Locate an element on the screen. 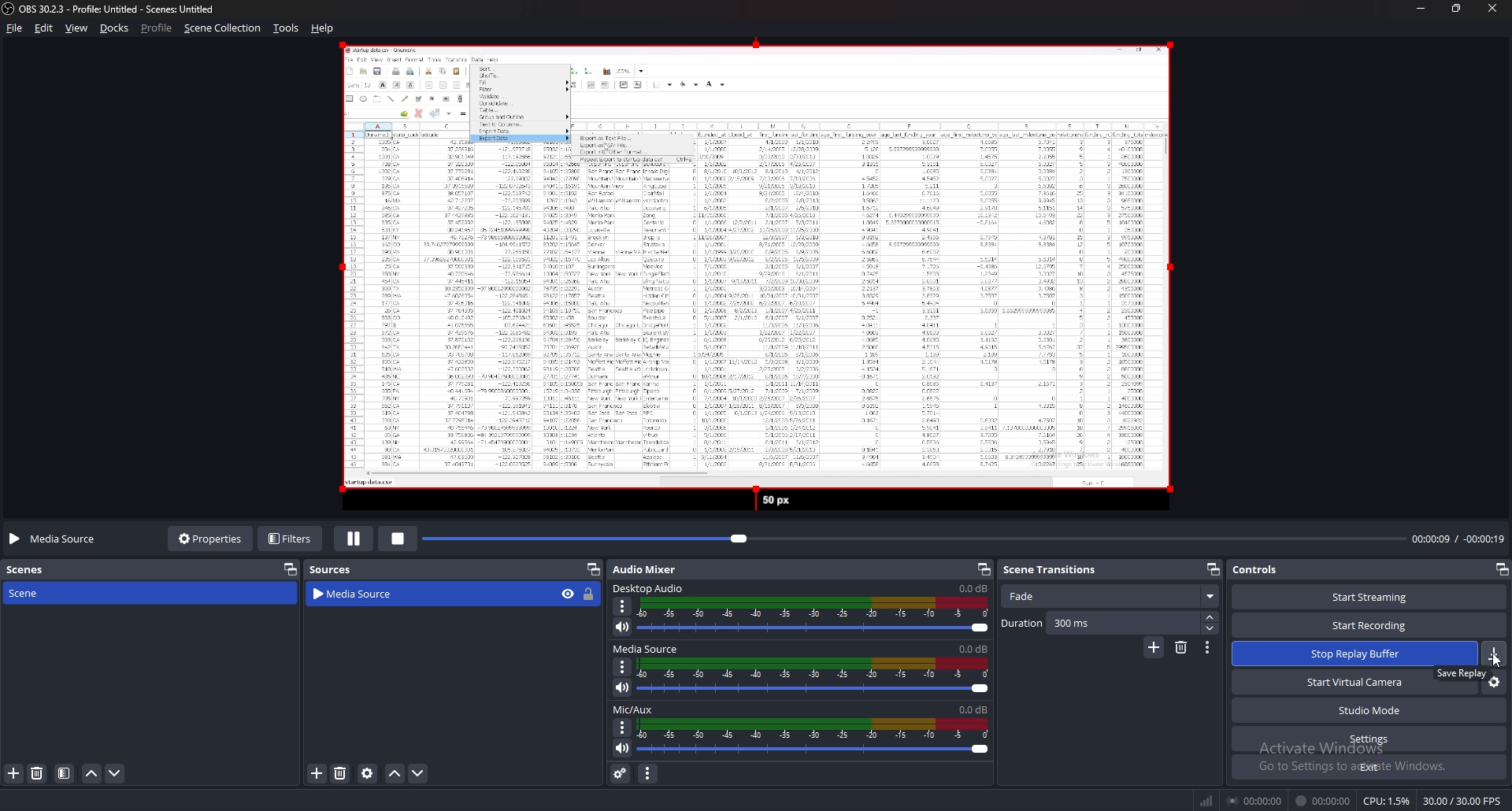 This screenshot has height=811, width=1512. lock is located at coordinates (590, 595).